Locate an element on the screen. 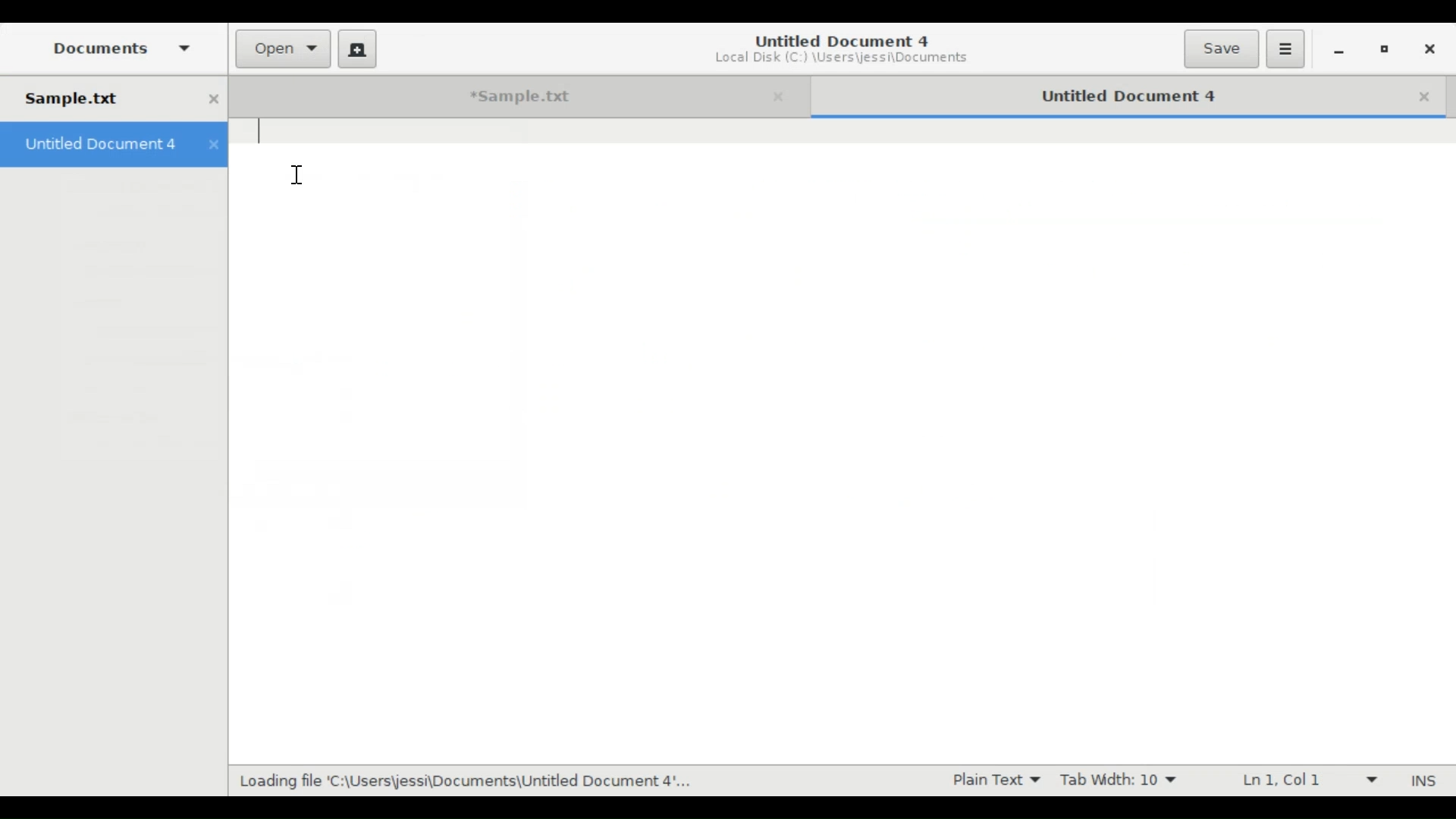 This screenshot has width=1456, height=819. Highlight Mode: Plain Text is located at coordinates (989, 780).